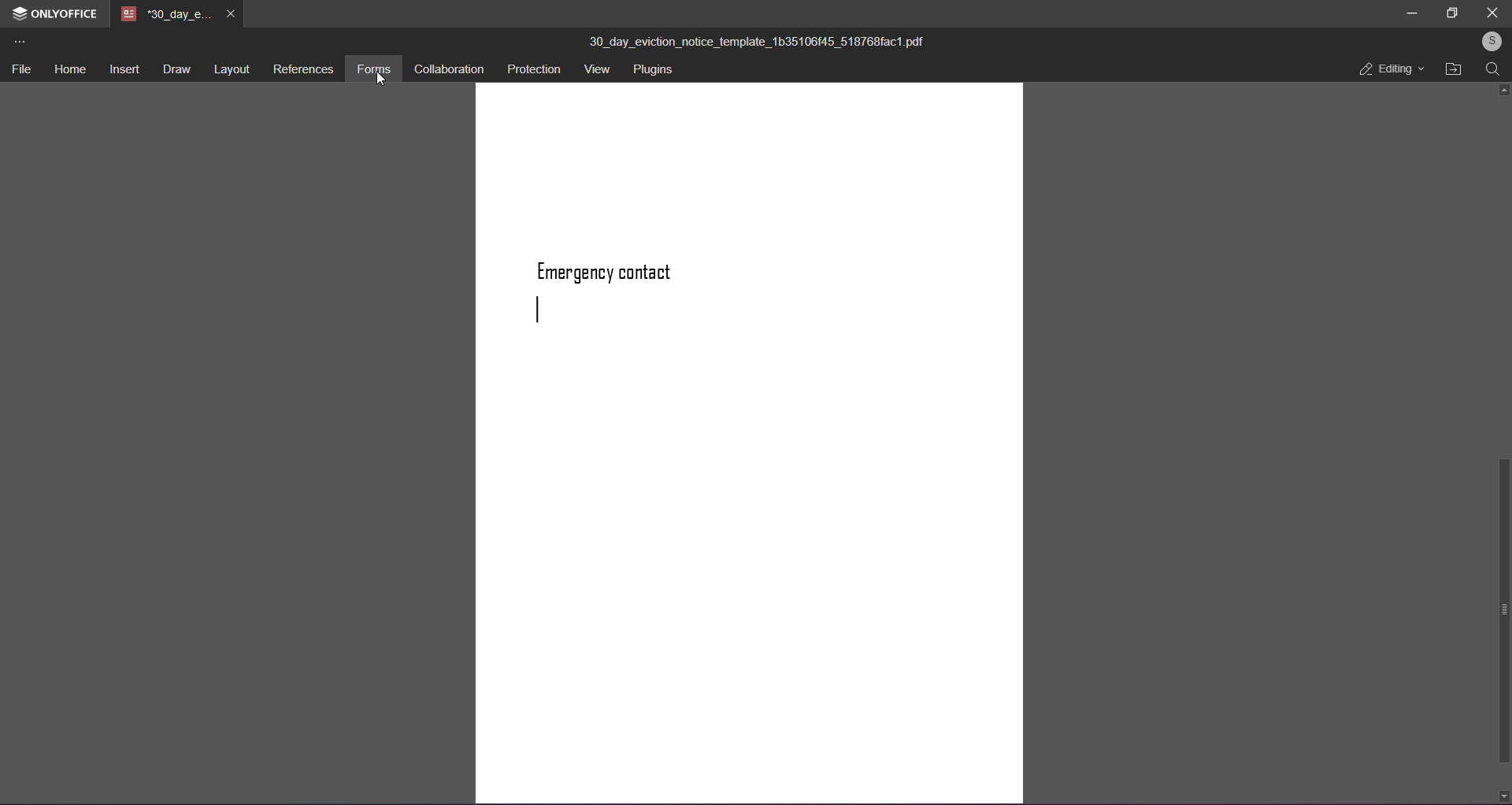 Image resolution: width=1512 pixels, height=805 pixels. Describe the element at coordinates (67, 70) in the screenshot. I see `home` at that location.